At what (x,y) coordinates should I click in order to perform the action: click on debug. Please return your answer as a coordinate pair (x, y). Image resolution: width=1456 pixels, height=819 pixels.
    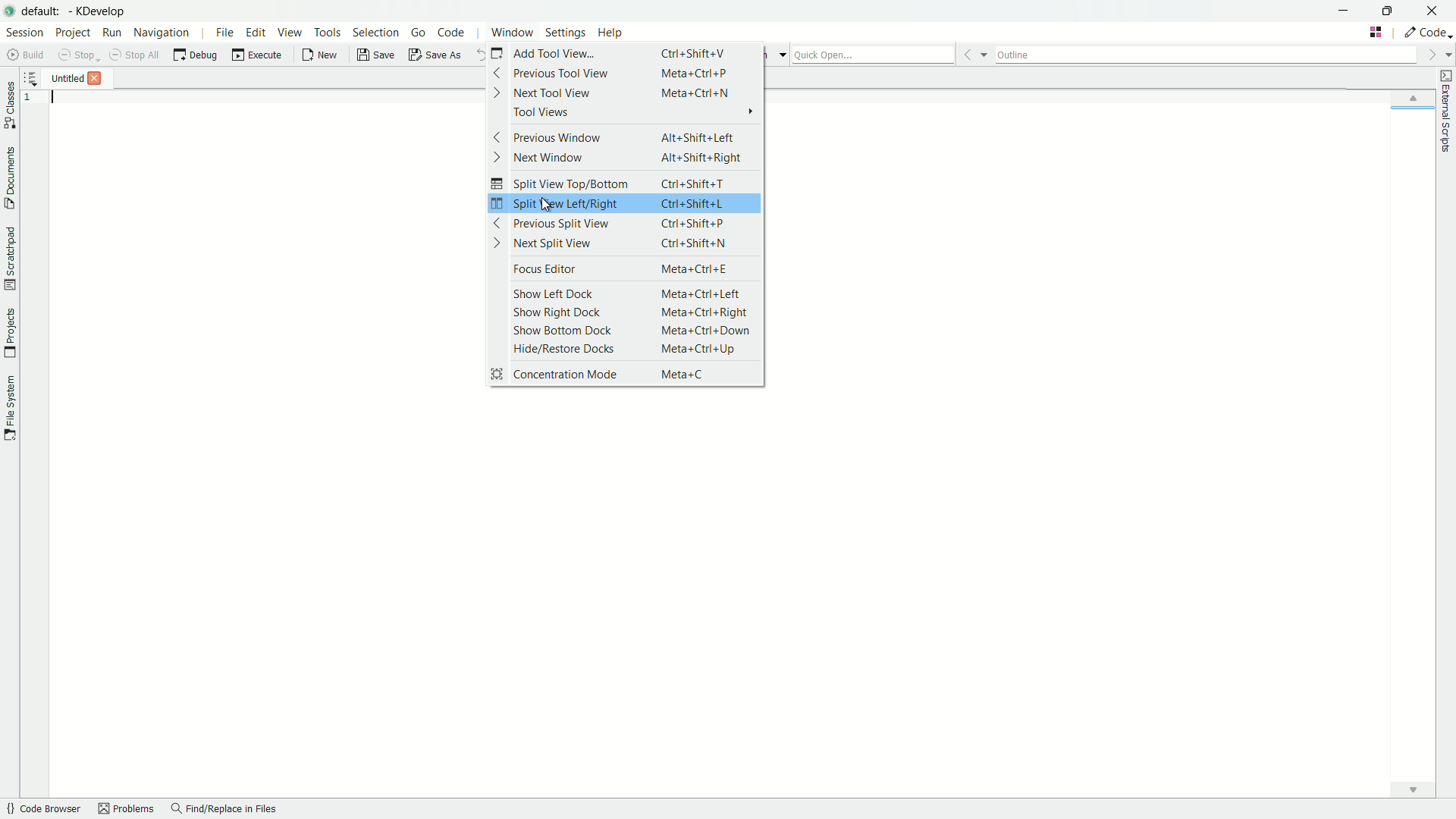
    Looking at the image, I should click on (195, 55).